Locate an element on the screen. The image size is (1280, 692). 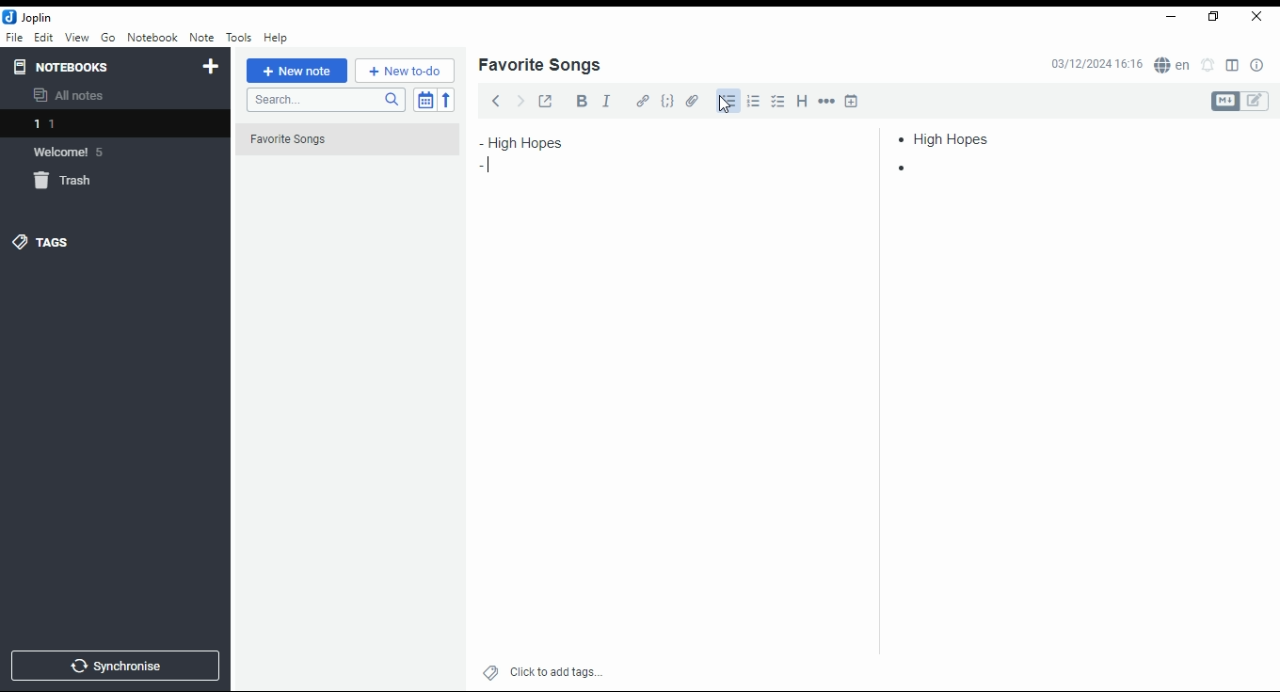
view is located at coordinates (77, 38).